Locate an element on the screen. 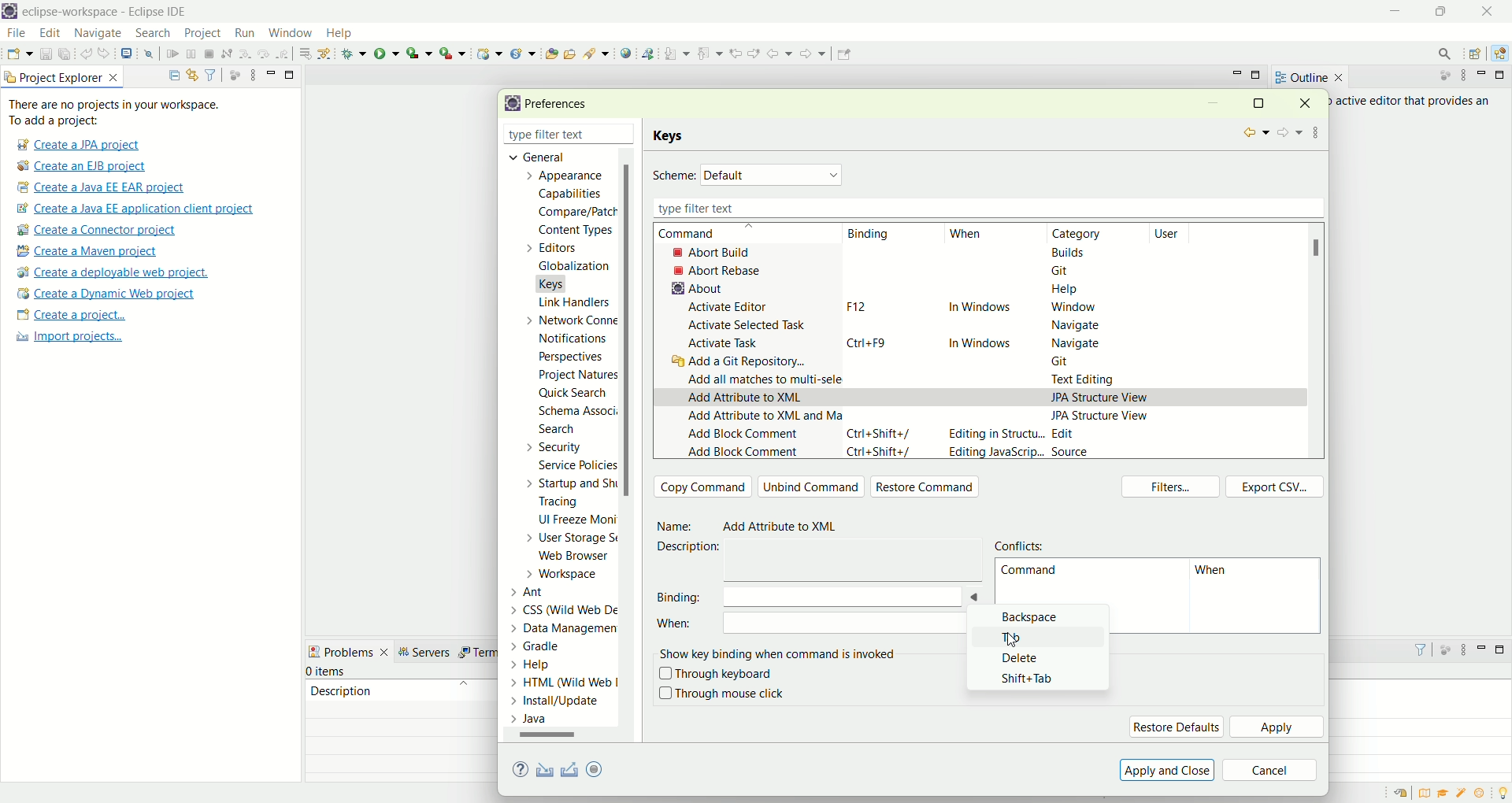  JPA structure view is located at coordinates (1102, 415).